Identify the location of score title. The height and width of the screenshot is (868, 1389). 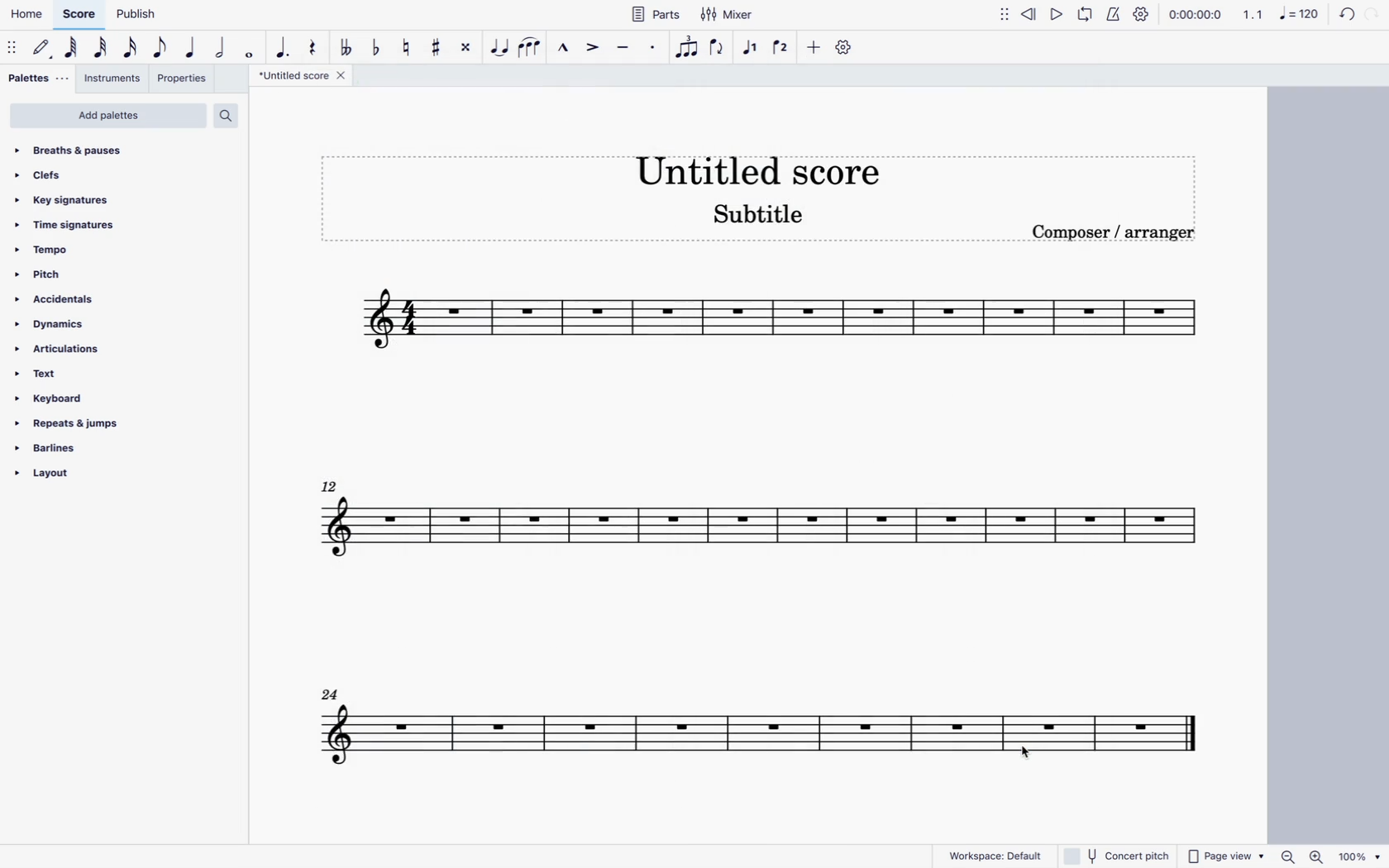
(303, 74).